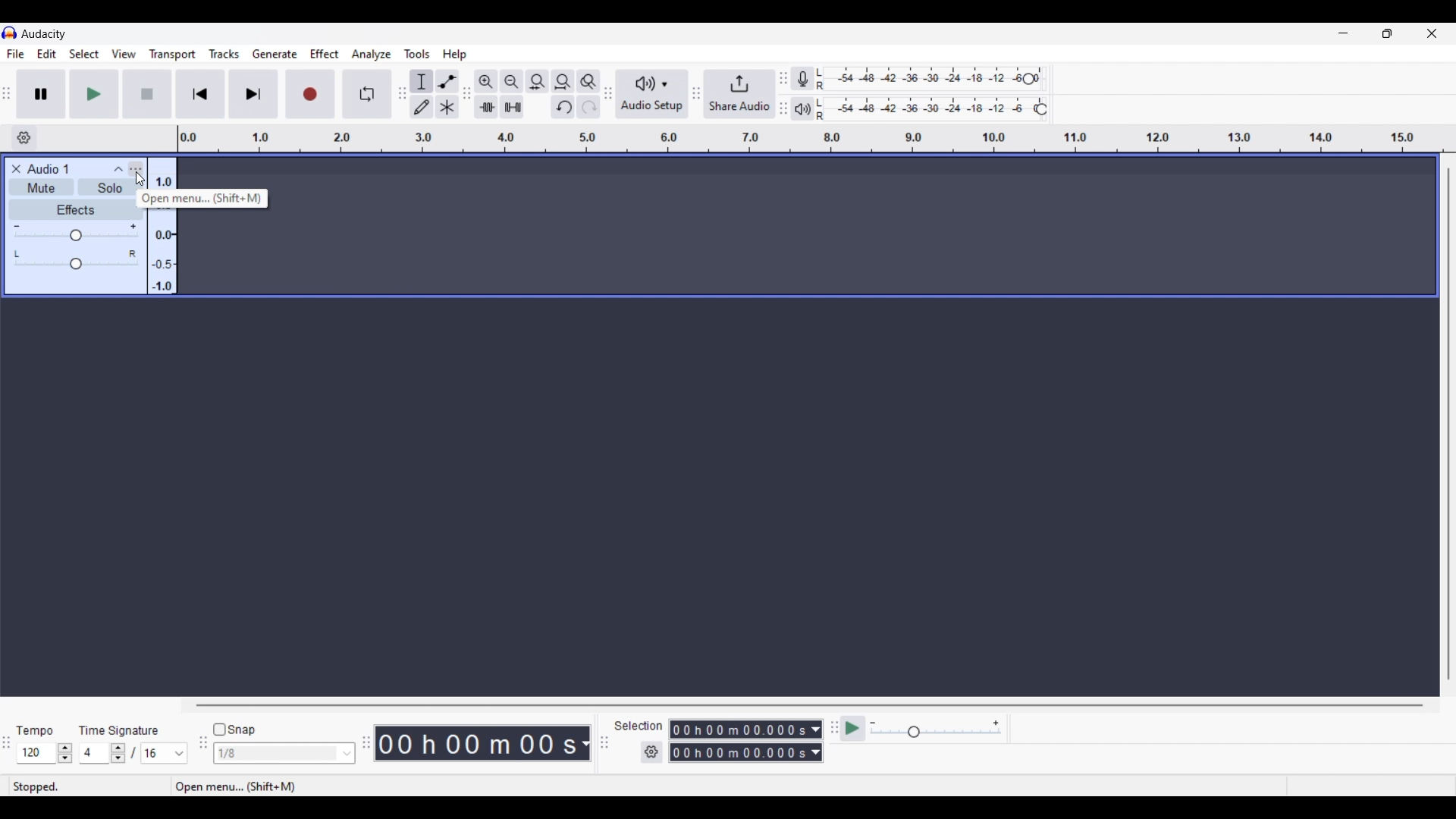 This screenshot has width=1456, height=819. I want to click on Share audio, so click(739, 94).